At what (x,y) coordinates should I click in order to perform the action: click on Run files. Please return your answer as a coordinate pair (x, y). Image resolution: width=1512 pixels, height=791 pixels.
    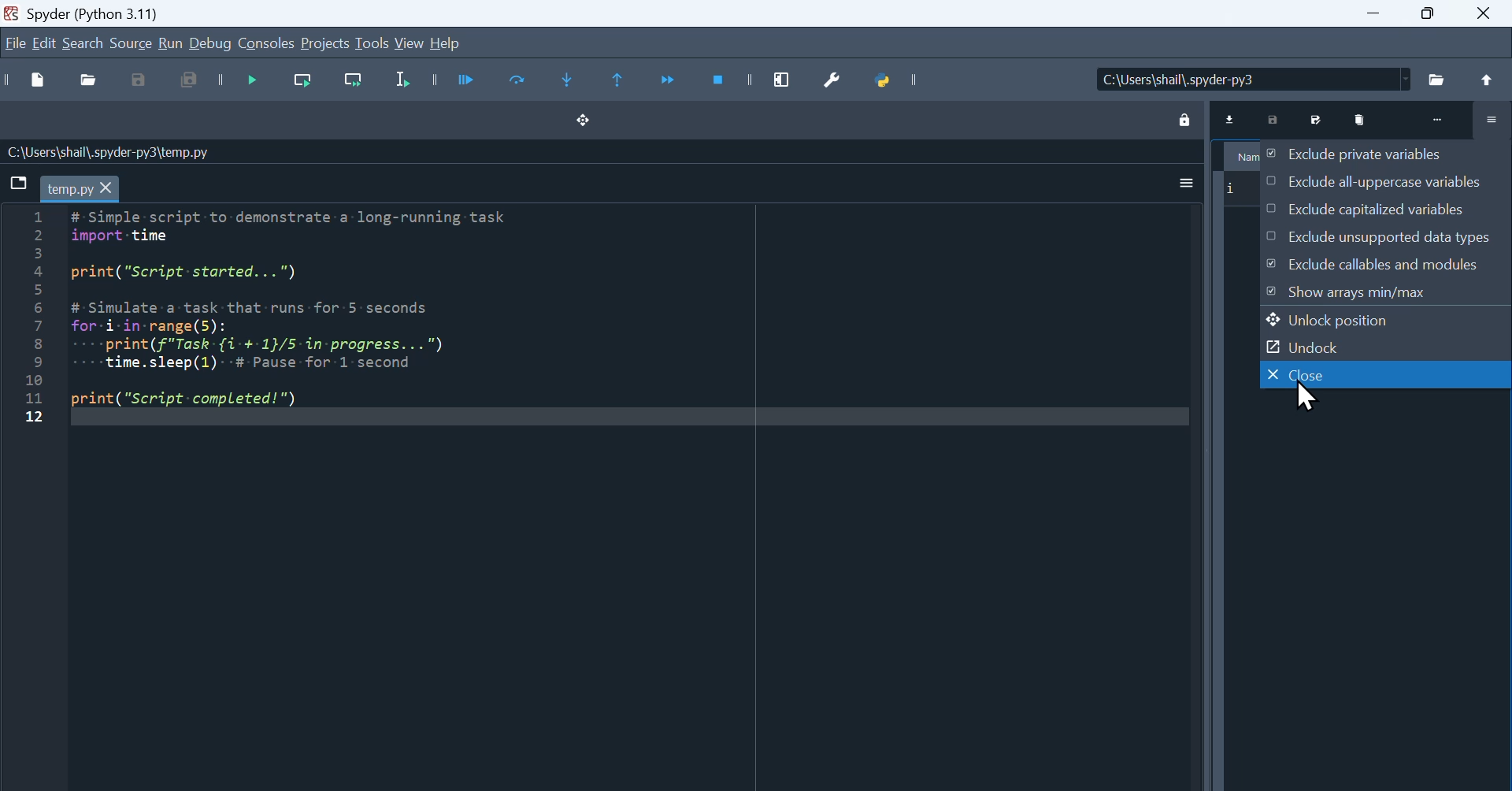
    Looking at the image, I should click on (468, 83).